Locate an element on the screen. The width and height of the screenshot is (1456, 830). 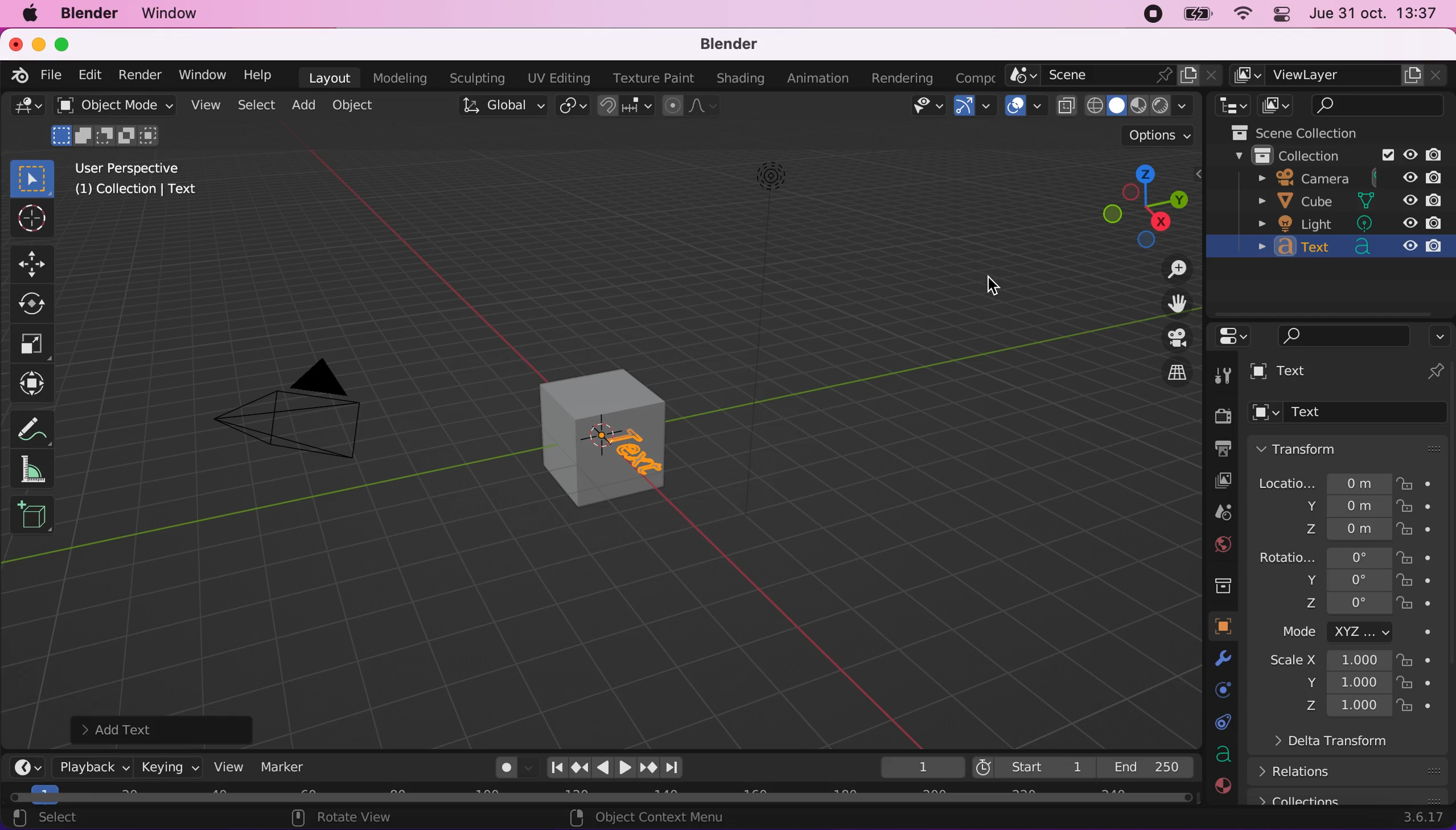
transform is located at coordinates (36, 381).